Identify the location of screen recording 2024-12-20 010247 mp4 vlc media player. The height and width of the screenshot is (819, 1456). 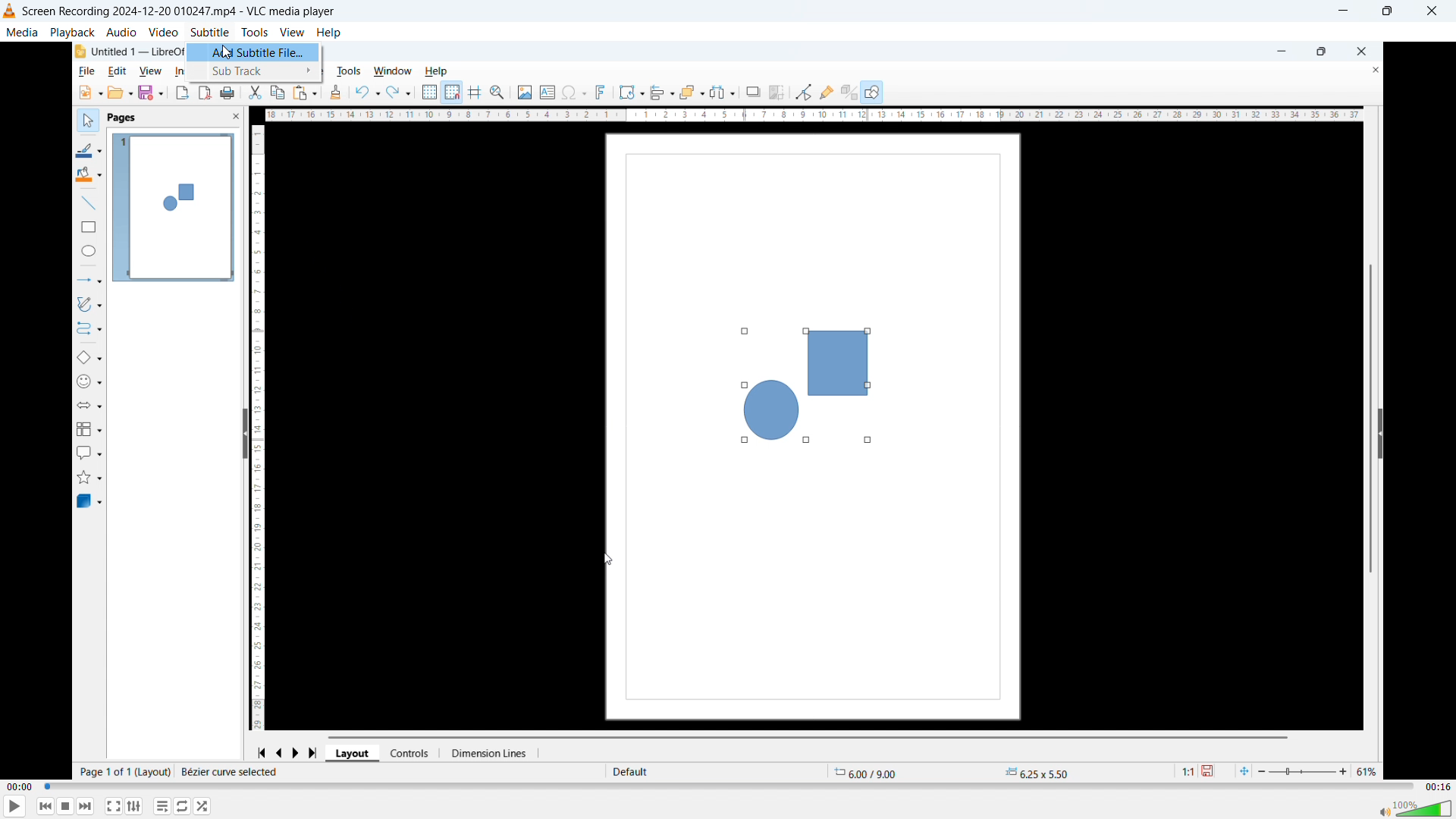
(189, 11).